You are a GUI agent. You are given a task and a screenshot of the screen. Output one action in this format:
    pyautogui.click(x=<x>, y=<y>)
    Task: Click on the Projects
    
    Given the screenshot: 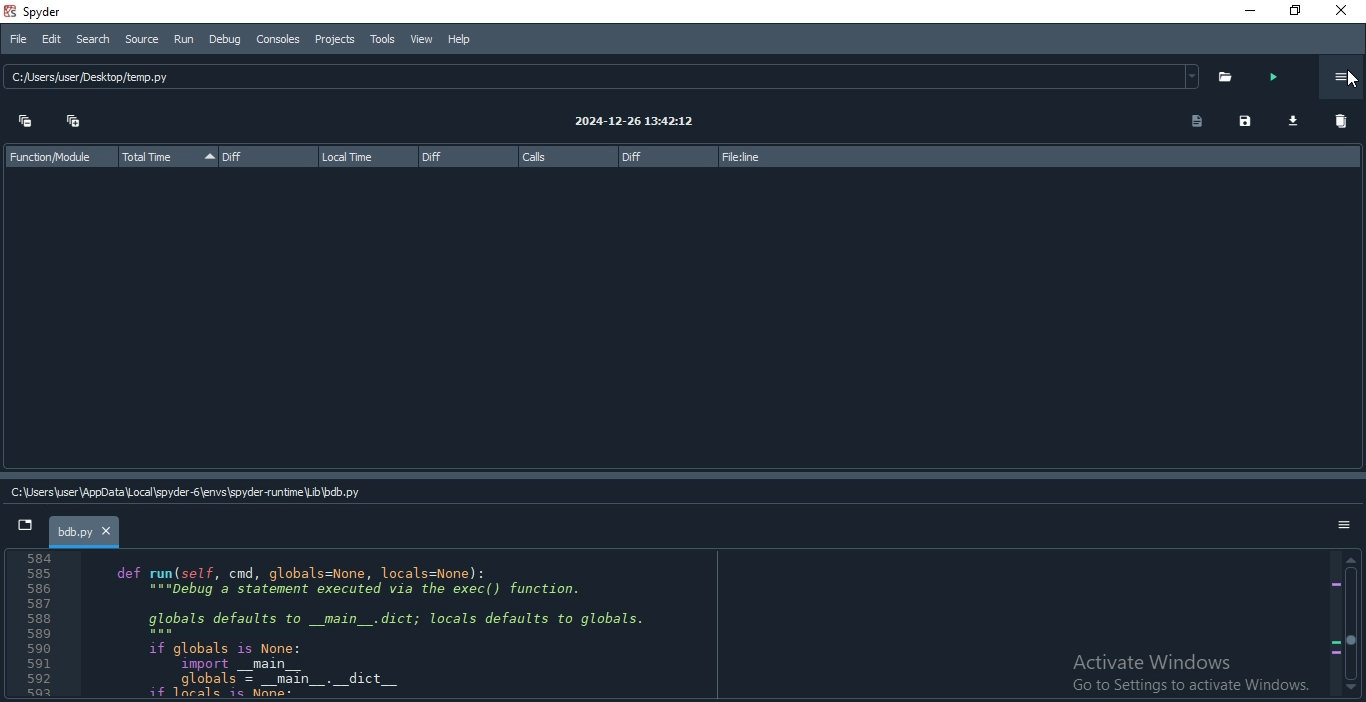 What is the action you would take?
    pyautogui.click(x=335, y=39)
    